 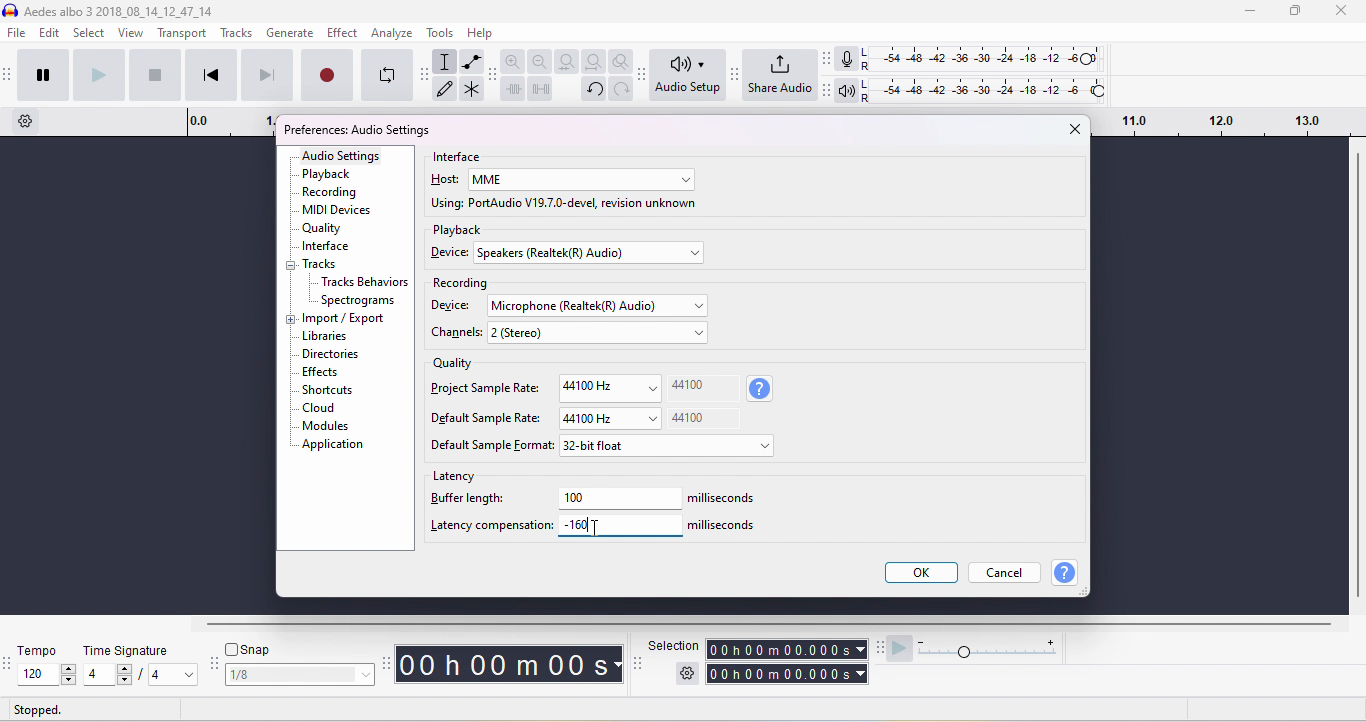 I want to click on zoom in, so click(x=513, y=61).